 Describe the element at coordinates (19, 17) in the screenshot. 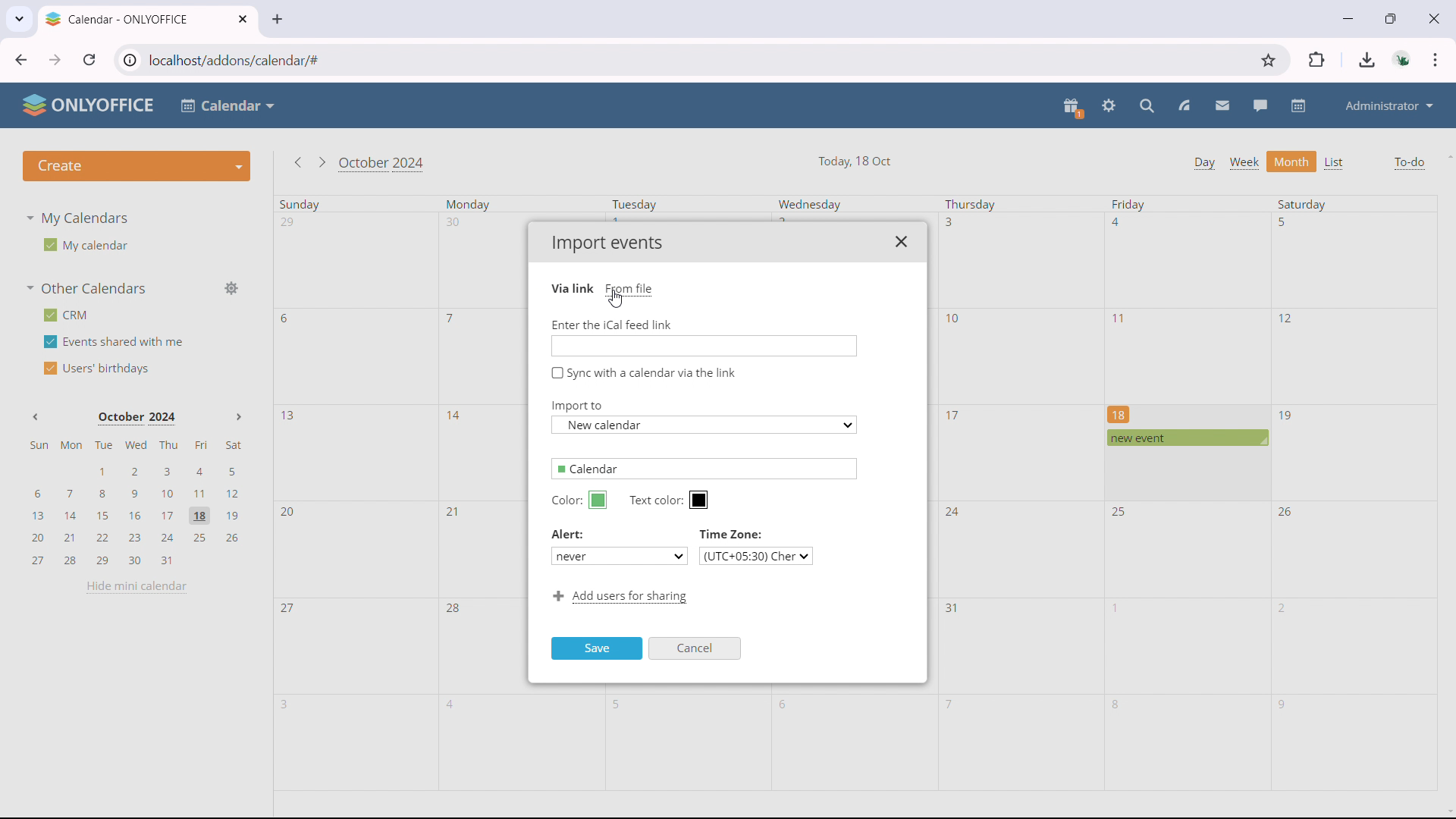

I see `search tabs` at that location.